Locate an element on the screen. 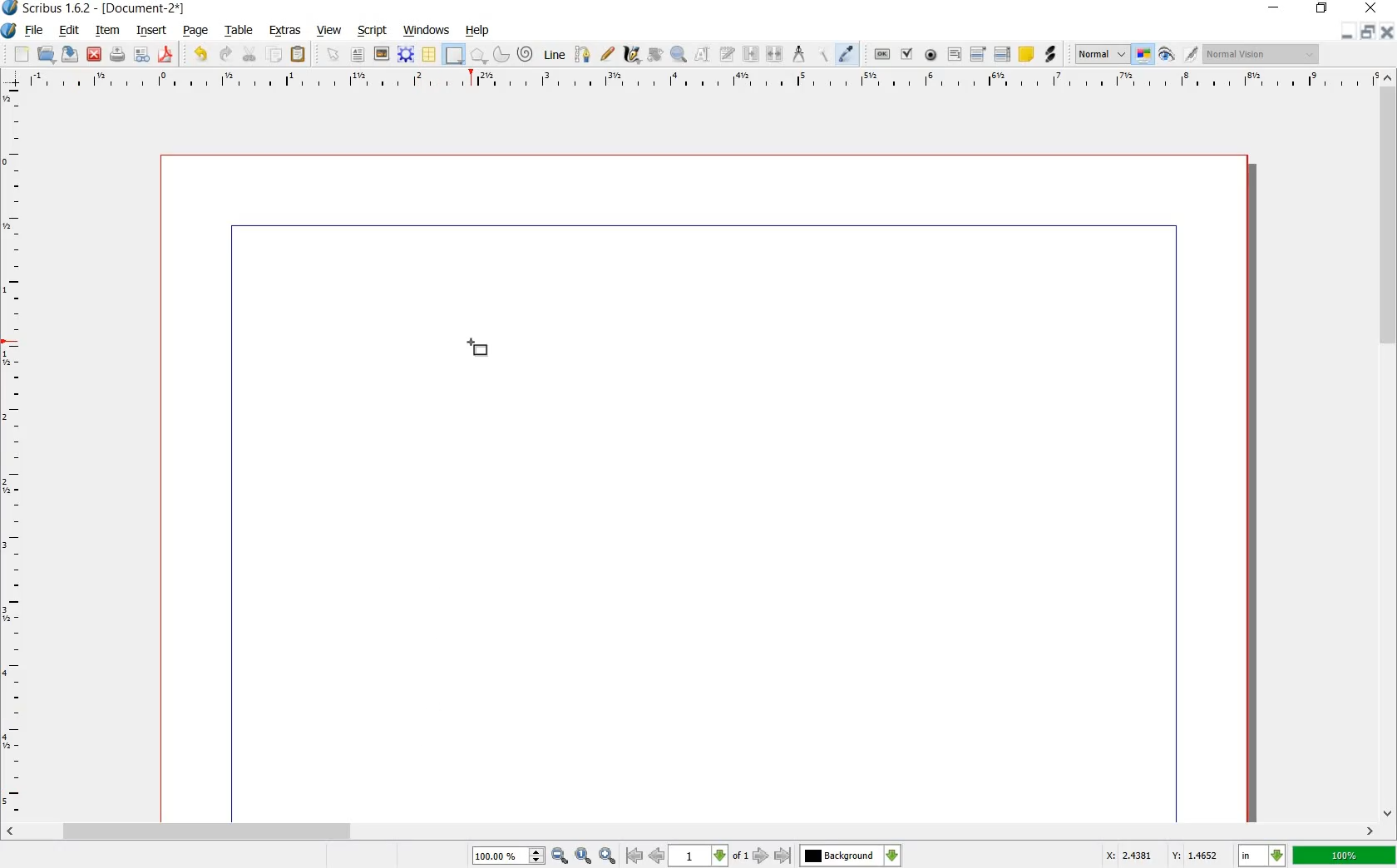 This screenshot has height=868, width=1397. NEW is located at coordinates (21, 55).